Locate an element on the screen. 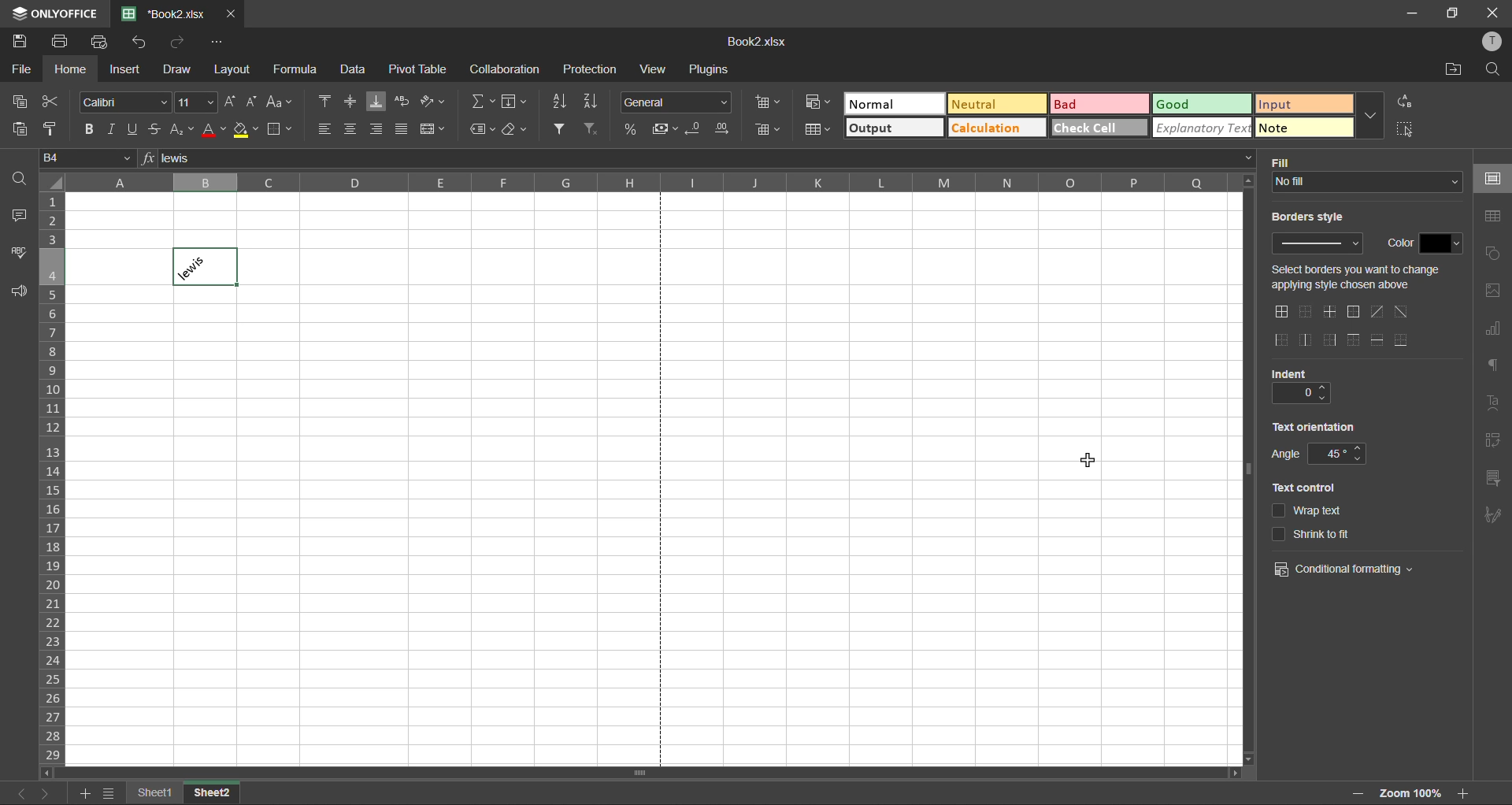  good is located at coordinates (1200, 103).